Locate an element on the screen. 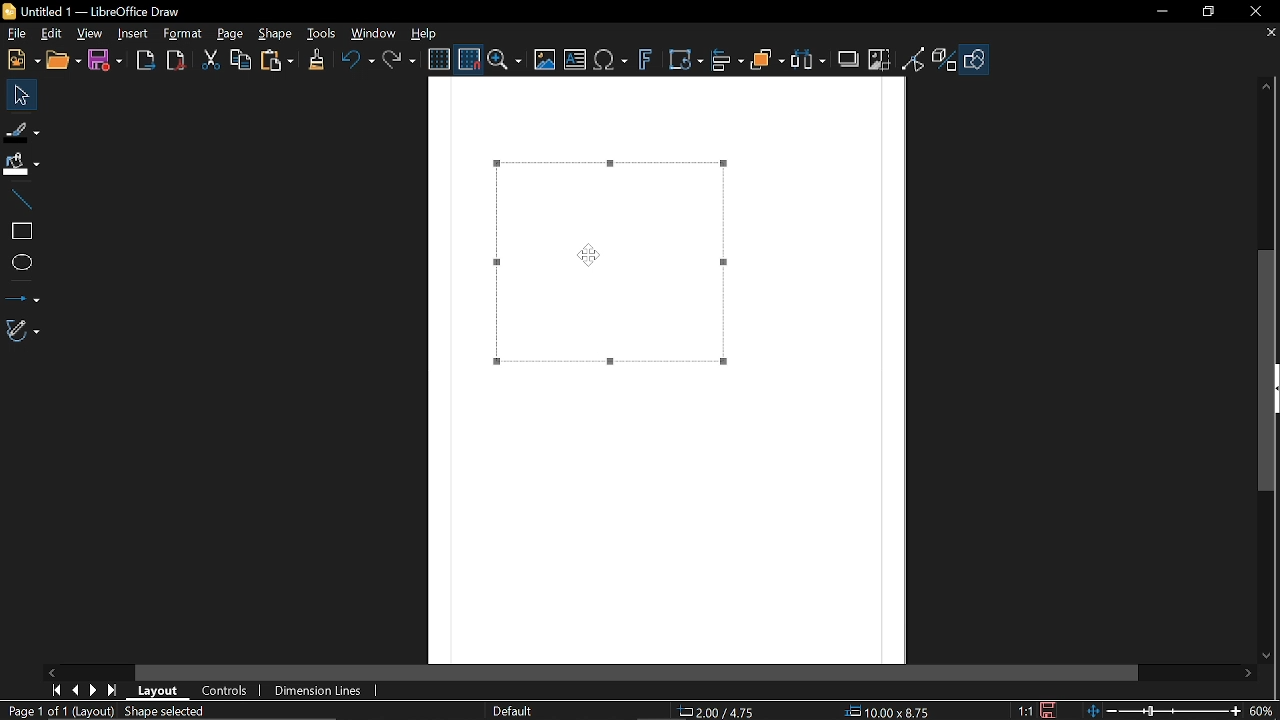 This screenshot has width=1280, height=720. Cut is located at coordinates (212, 61).